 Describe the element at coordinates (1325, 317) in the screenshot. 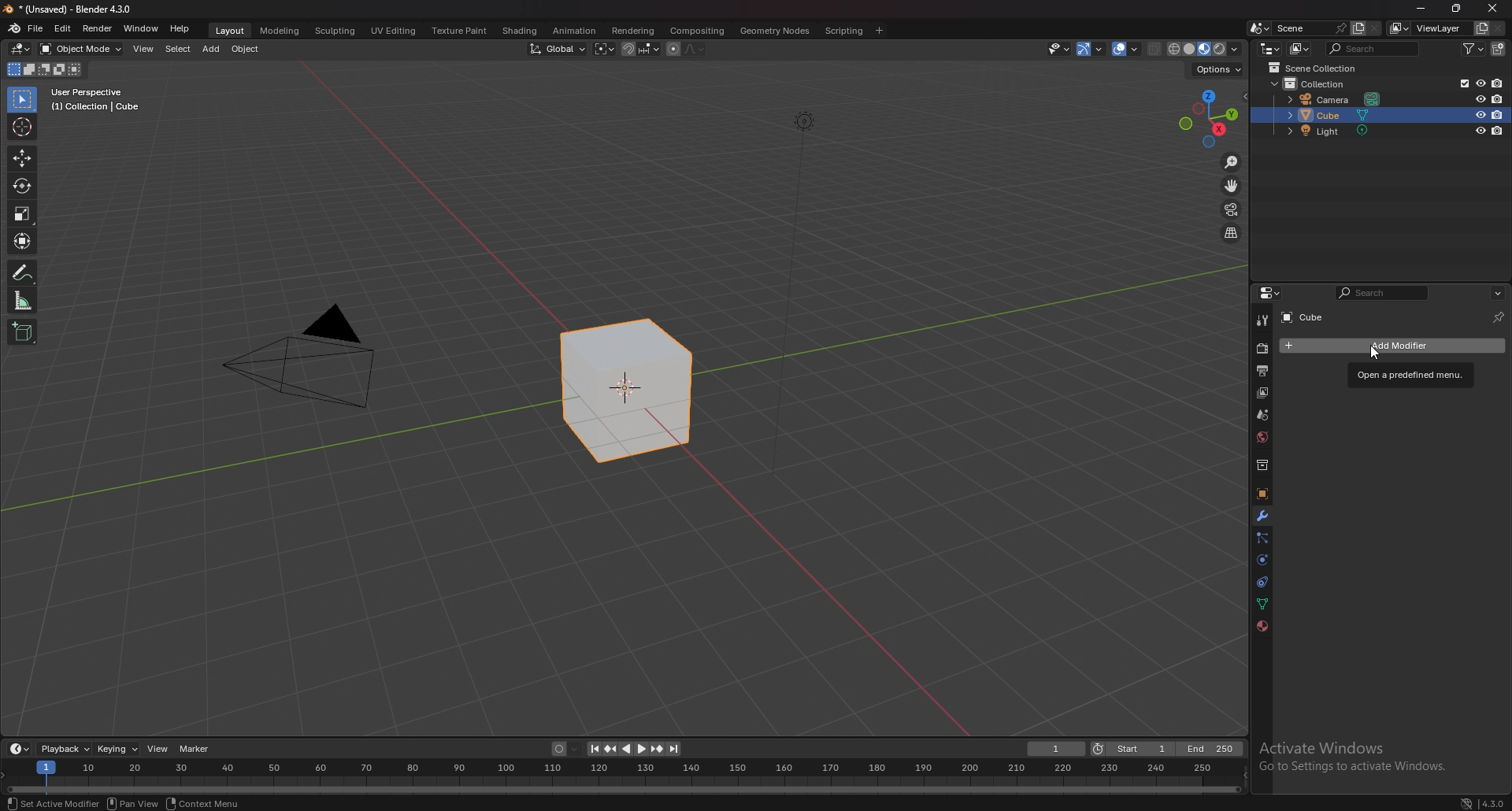

I see `cube` at that location.